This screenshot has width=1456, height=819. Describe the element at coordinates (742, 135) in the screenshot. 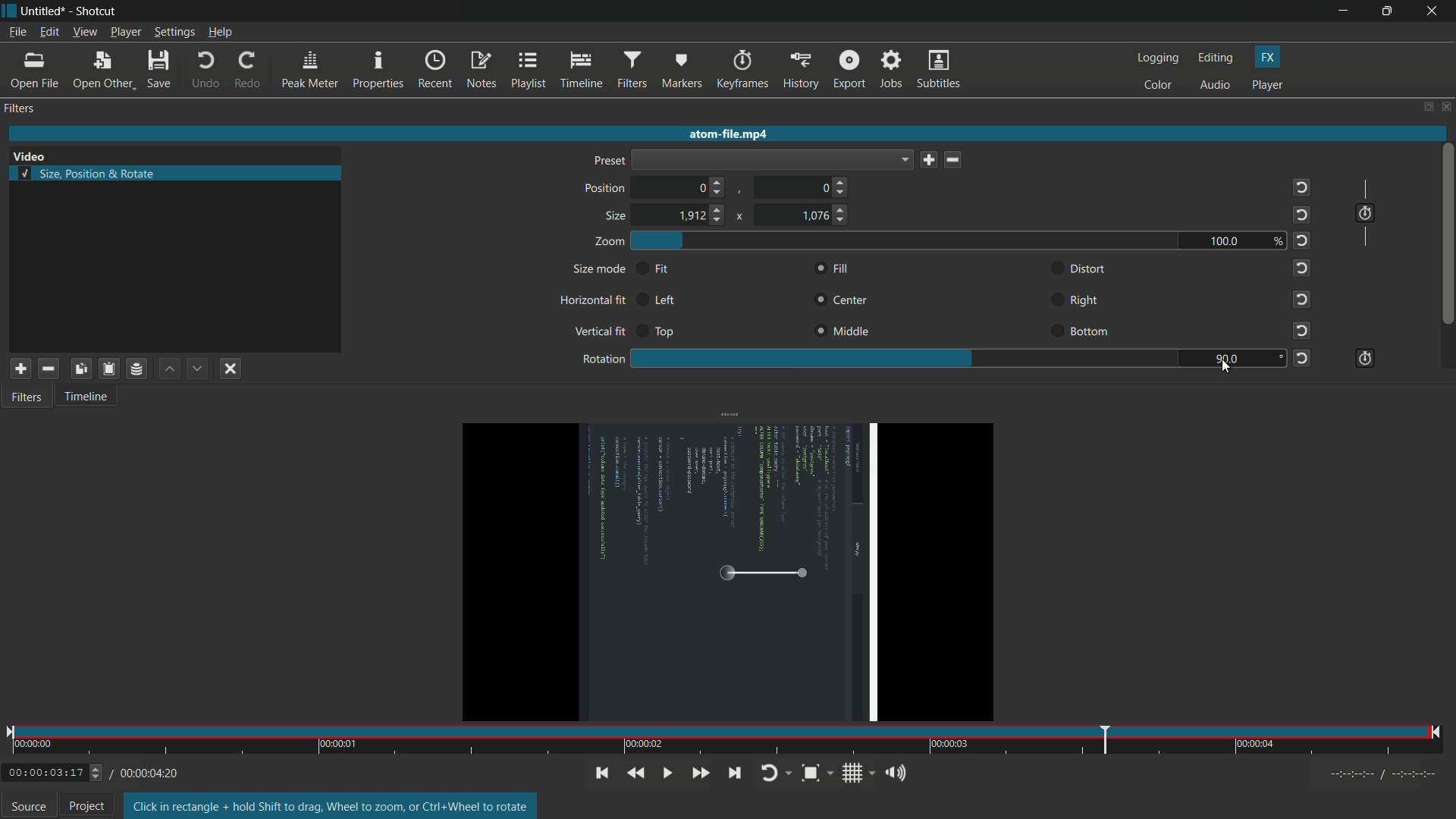

I see `atom-file.mp4 (imported video name)` at that location.